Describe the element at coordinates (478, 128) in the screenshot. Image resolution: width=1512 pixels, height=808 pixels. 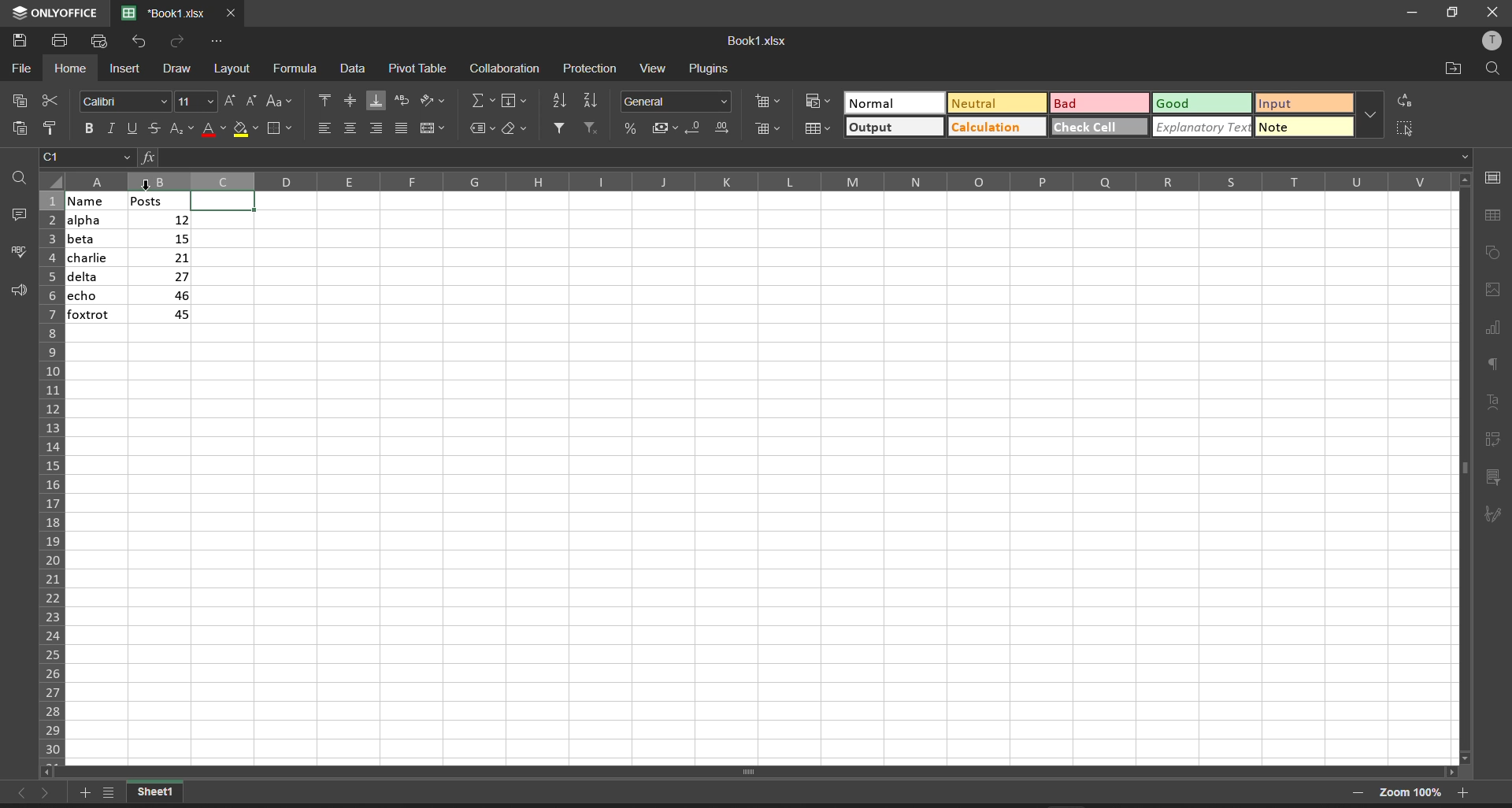
I see `named ranges` at that location.